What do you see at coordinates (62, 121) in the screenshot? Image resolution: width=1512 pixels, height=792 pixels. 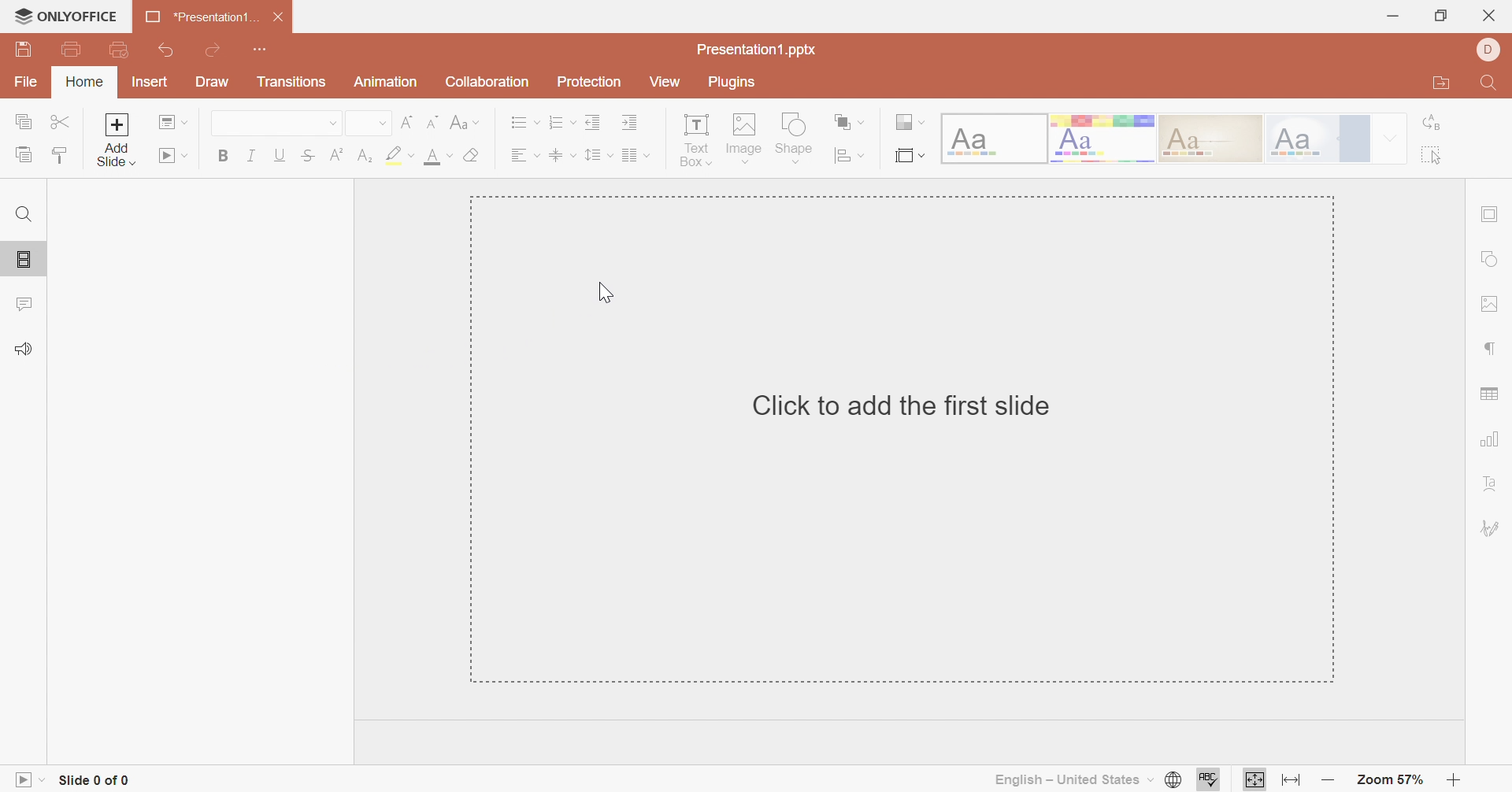 I see `Cut` at bounding box center [62, 121].